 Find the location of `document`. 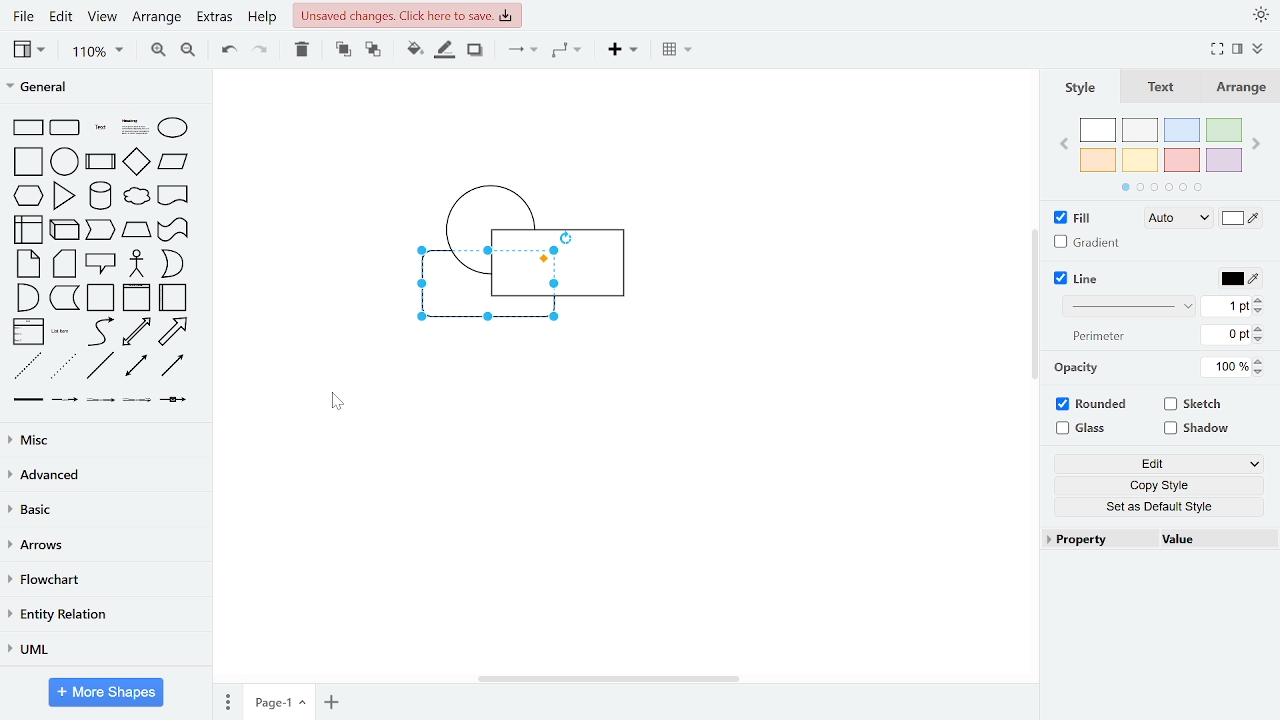

document is located at coordinates (174, 197).